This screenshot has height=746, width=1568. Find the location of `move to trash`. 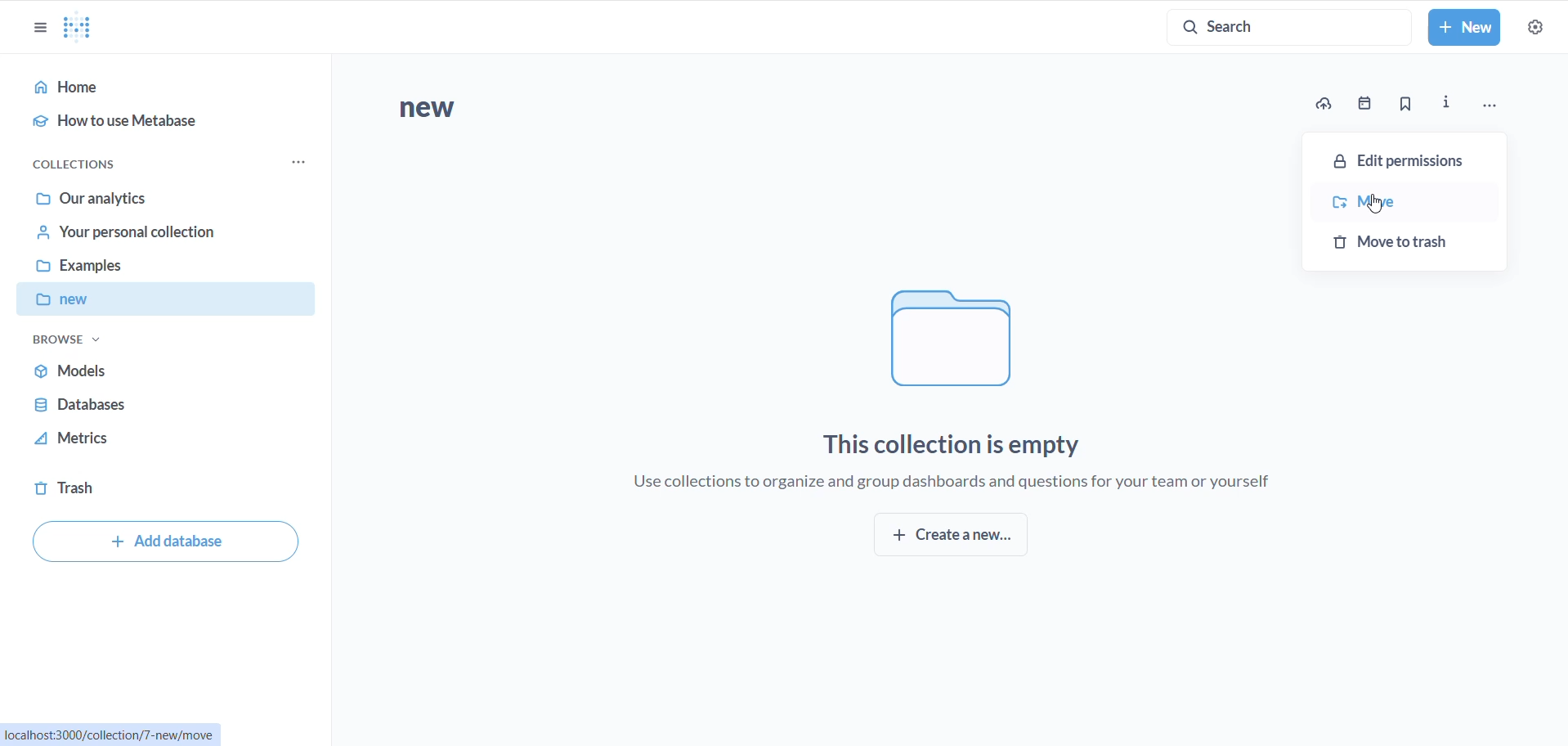

move to trash is located at coordinates (1392, 242).